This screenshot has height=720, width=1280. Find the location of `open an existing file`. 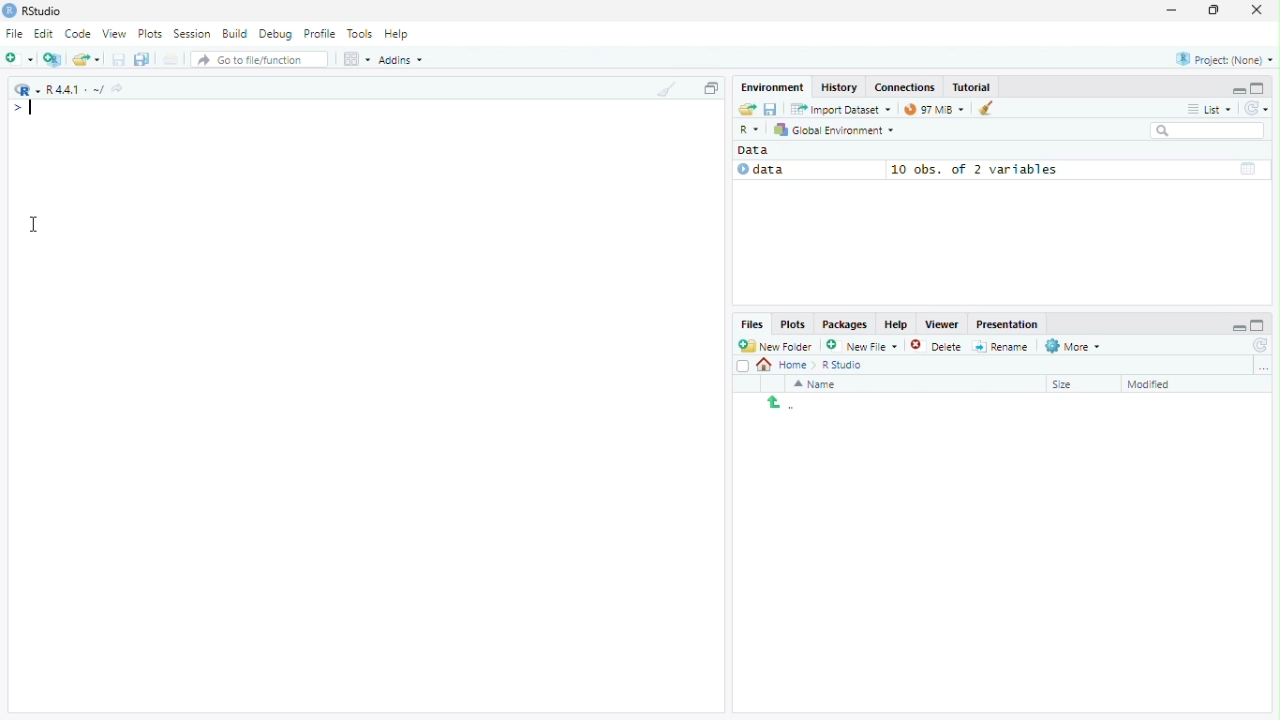

open an existing file is located at coordinates (89, 59).